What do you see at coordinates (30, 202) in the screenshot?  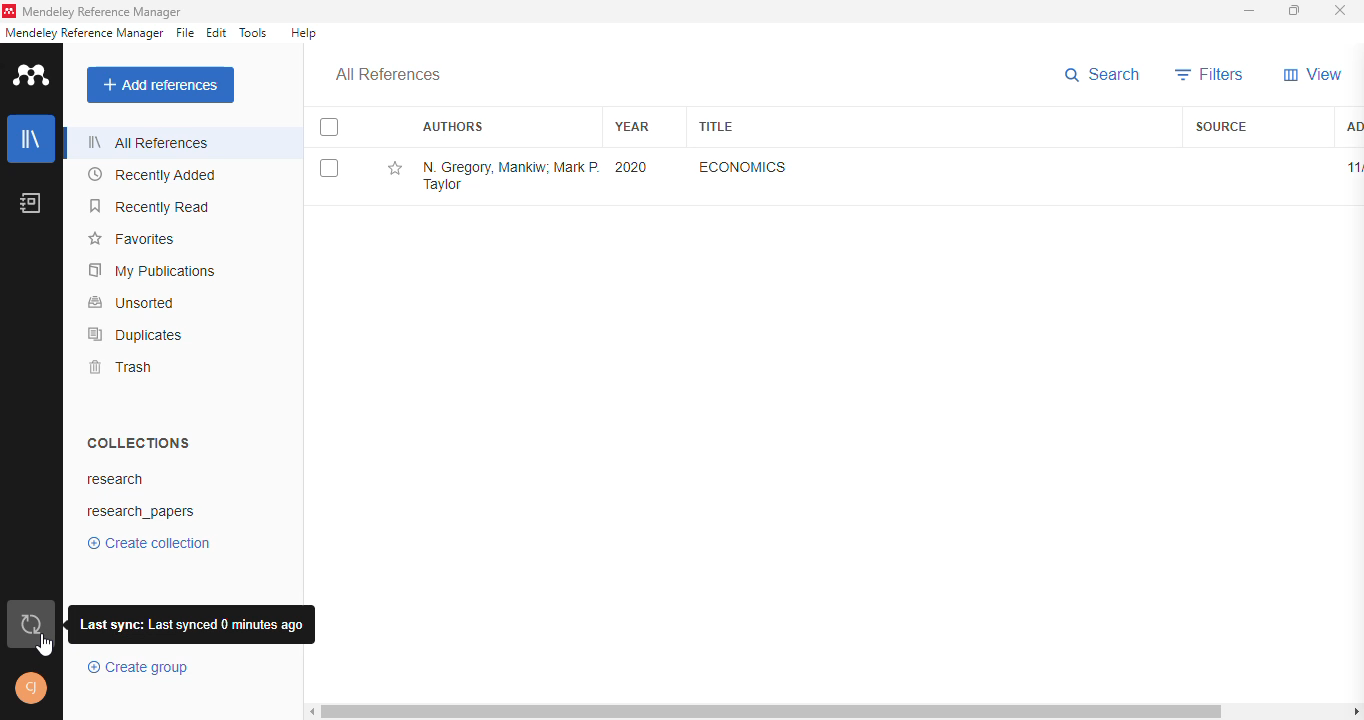 I see `notebook` at bounding box center [30, 202].